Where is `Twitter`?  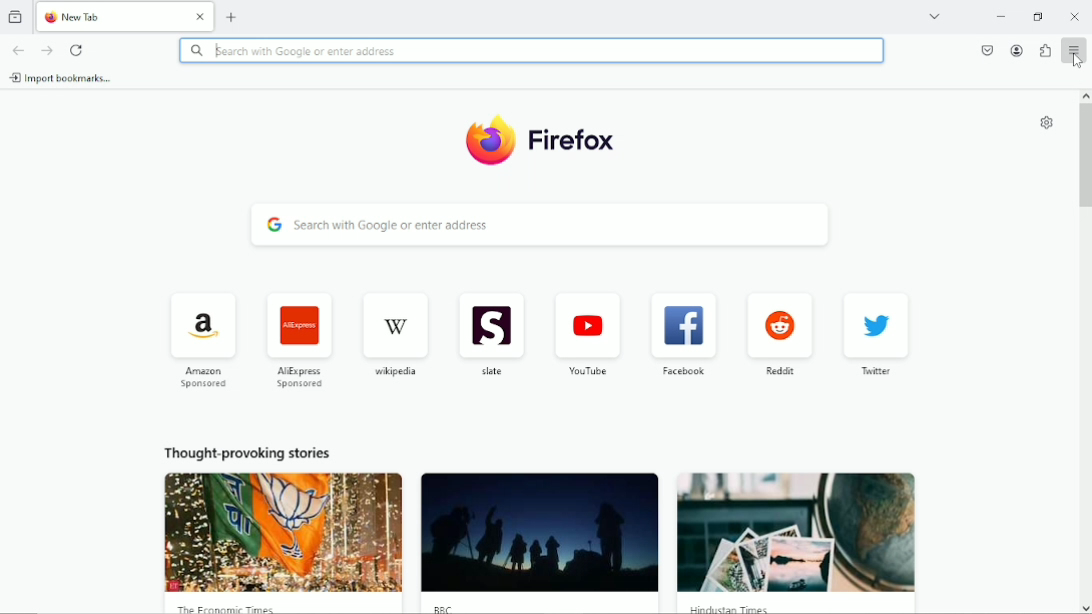
Twitter is located at coordinates (877, 337).